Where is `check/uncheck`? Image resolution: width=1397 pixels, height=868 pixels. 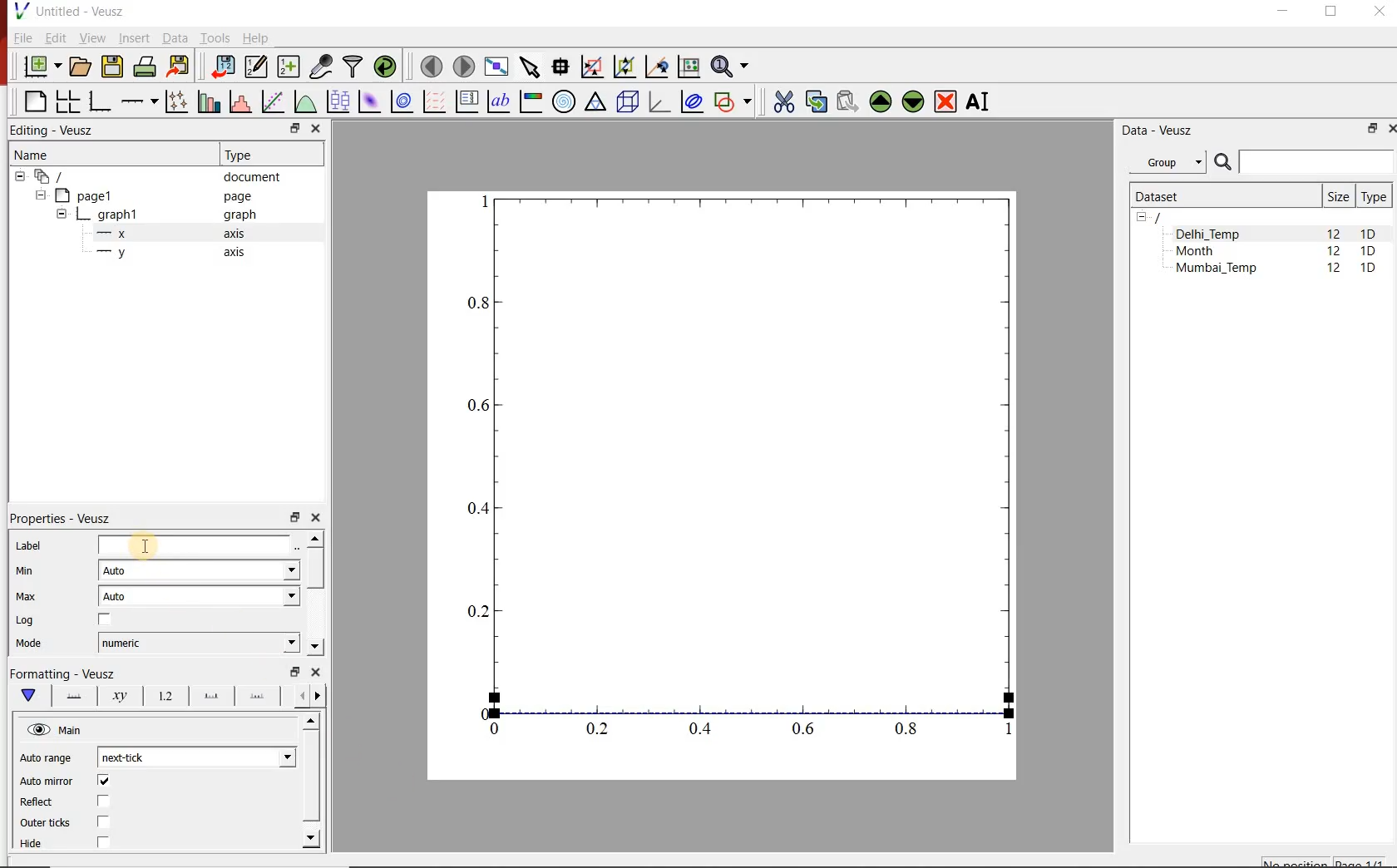
check/uncheck is located at coordinates (103, 781).